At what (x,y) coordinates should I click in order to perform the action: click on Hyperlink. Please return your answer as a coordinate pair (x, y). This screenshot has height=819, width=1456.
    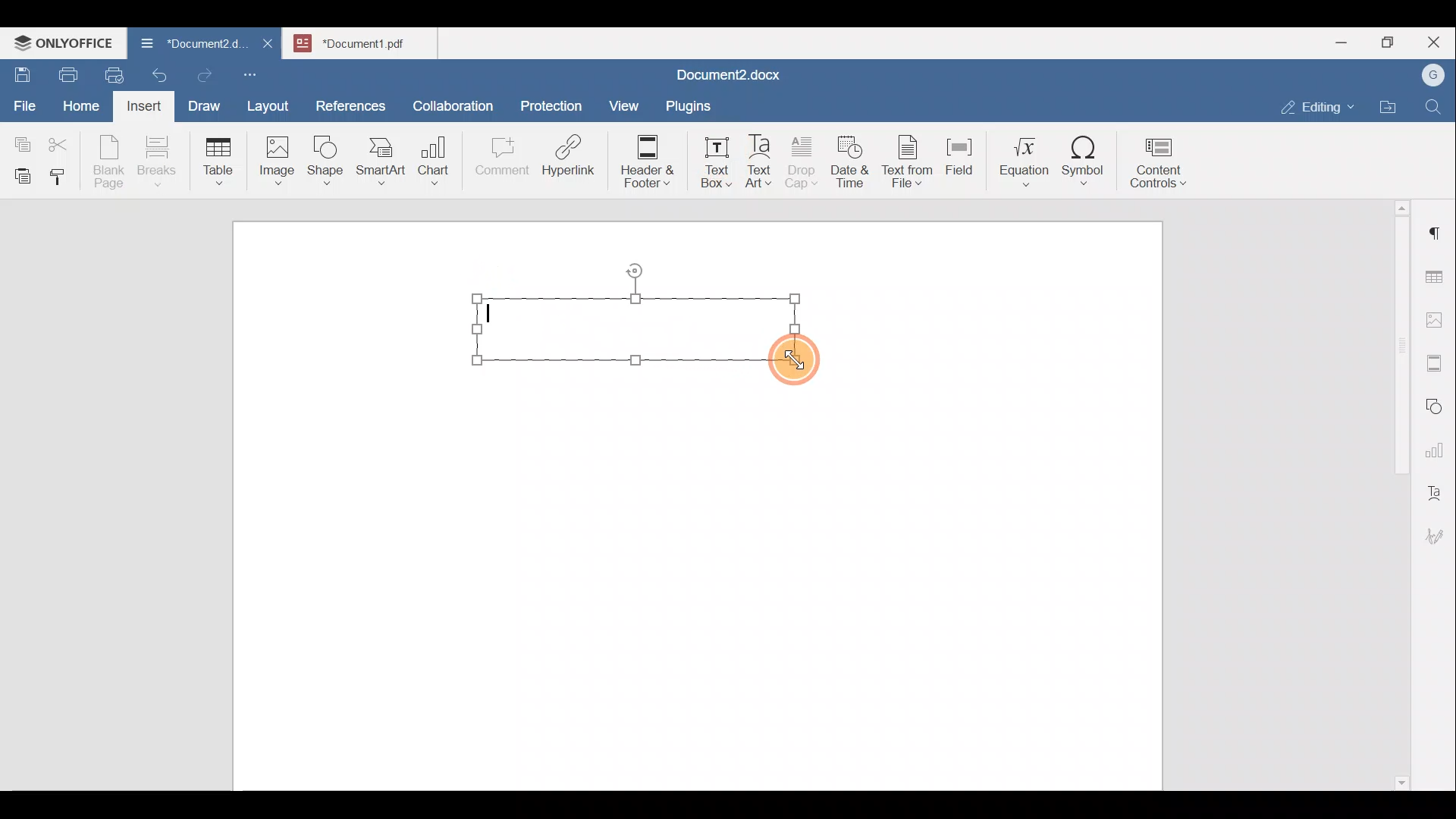
    Looking at the image, I should click on (573, 160).